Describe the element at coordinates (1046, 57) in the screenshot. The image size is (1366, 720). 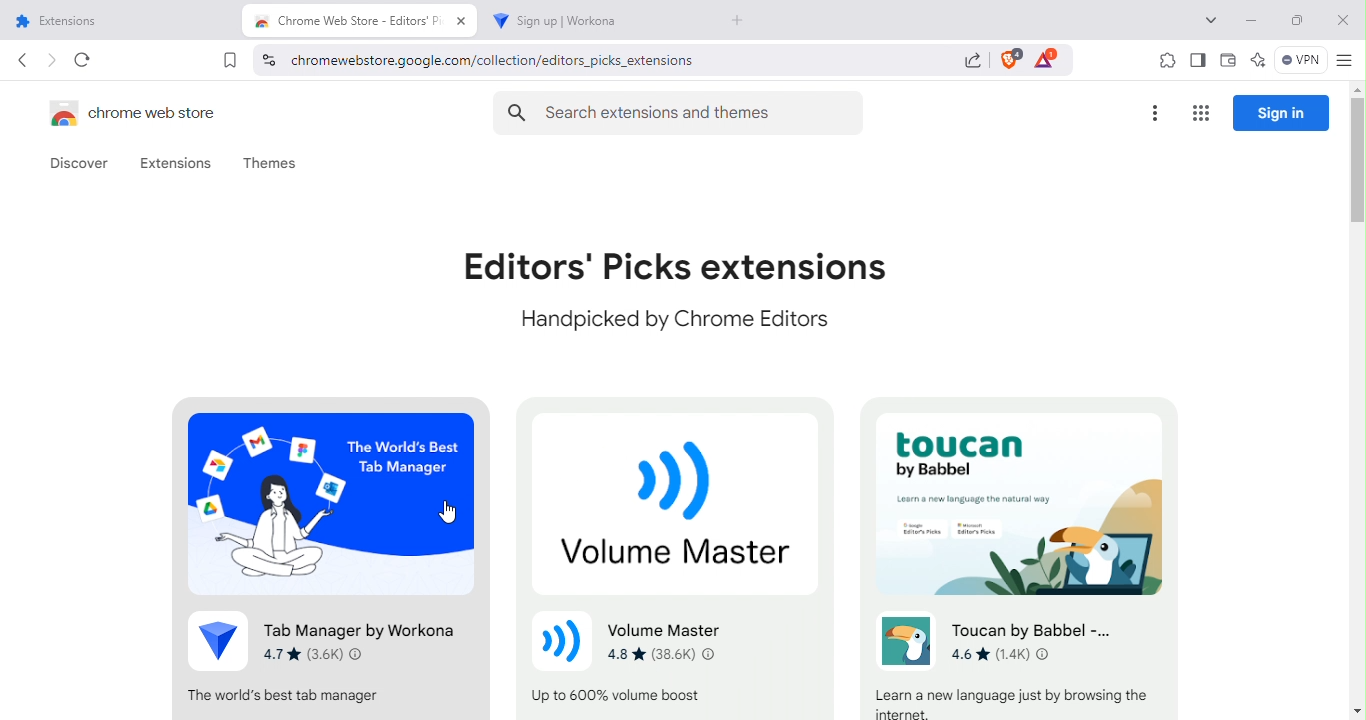
I see `Brave tokens` at that location.